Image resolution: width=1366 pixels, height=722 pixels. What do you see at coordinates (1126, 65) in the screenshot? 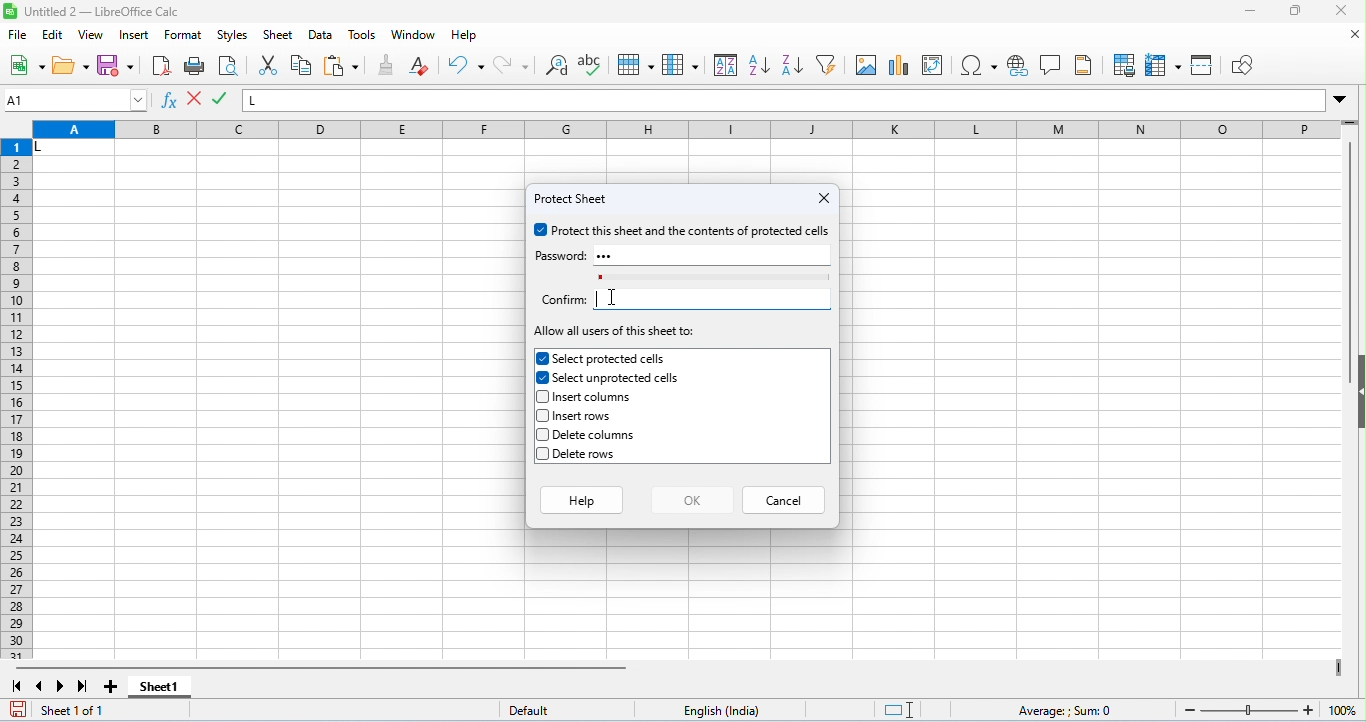
I see `define print preview` at bounding box center [1126, 65].